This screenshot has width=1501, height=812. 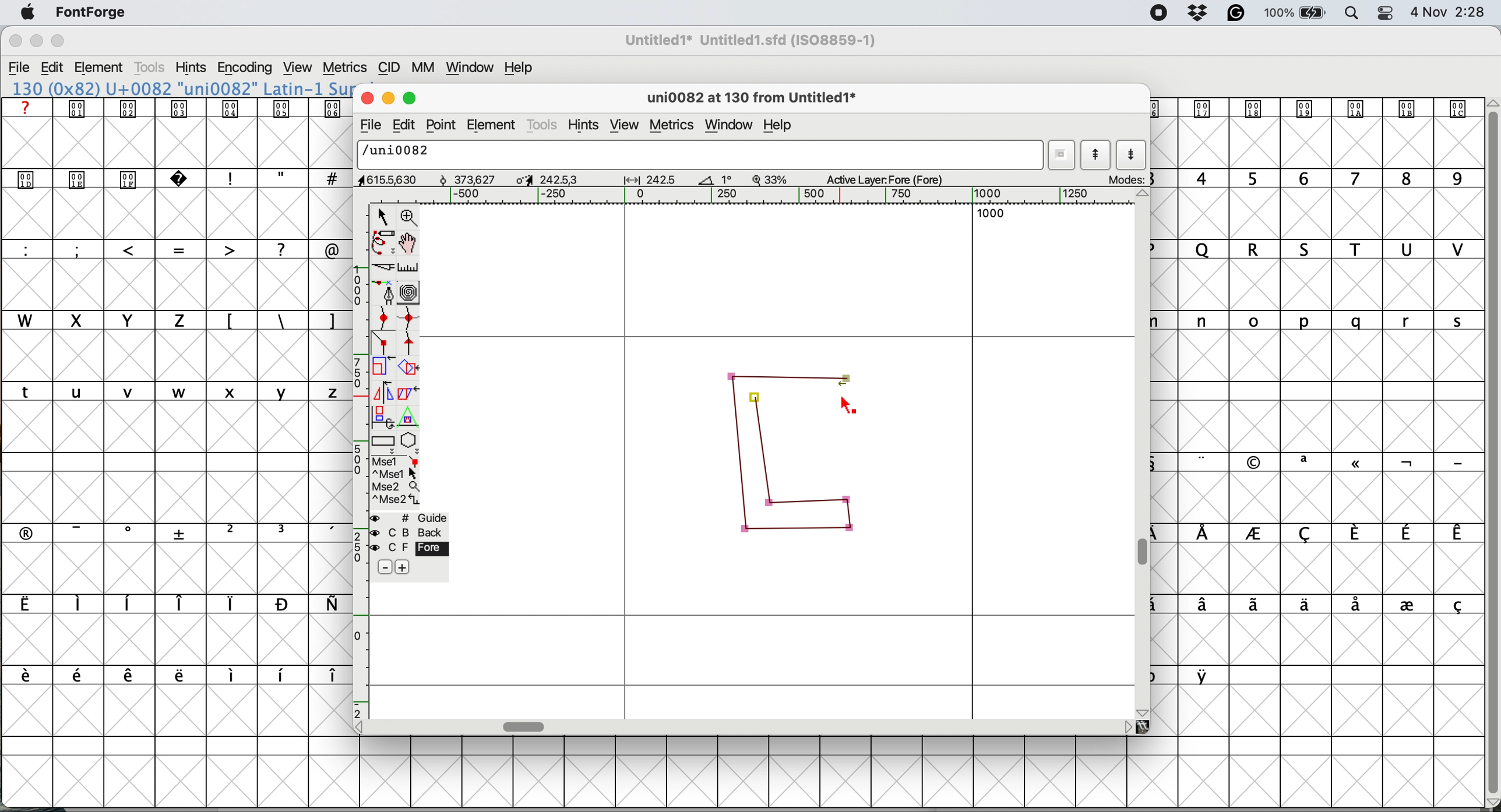 What do you see at coordinates (344, 68) in the screenshot?
I see `metrics` at bounding box center [344, 68].